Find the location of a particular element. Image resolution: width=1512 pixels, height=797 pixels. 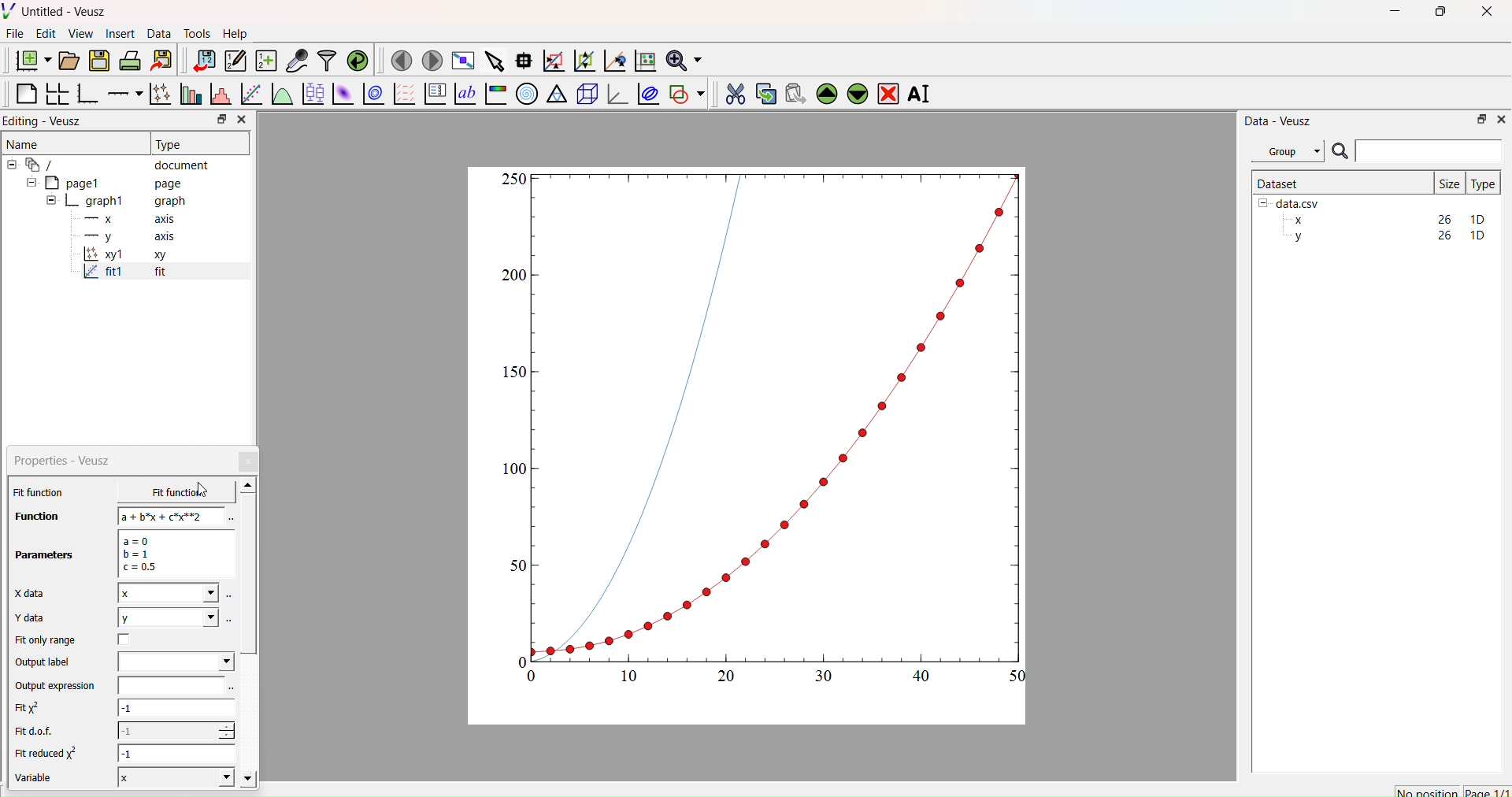

Read data points is located at coordinates (522, 58).